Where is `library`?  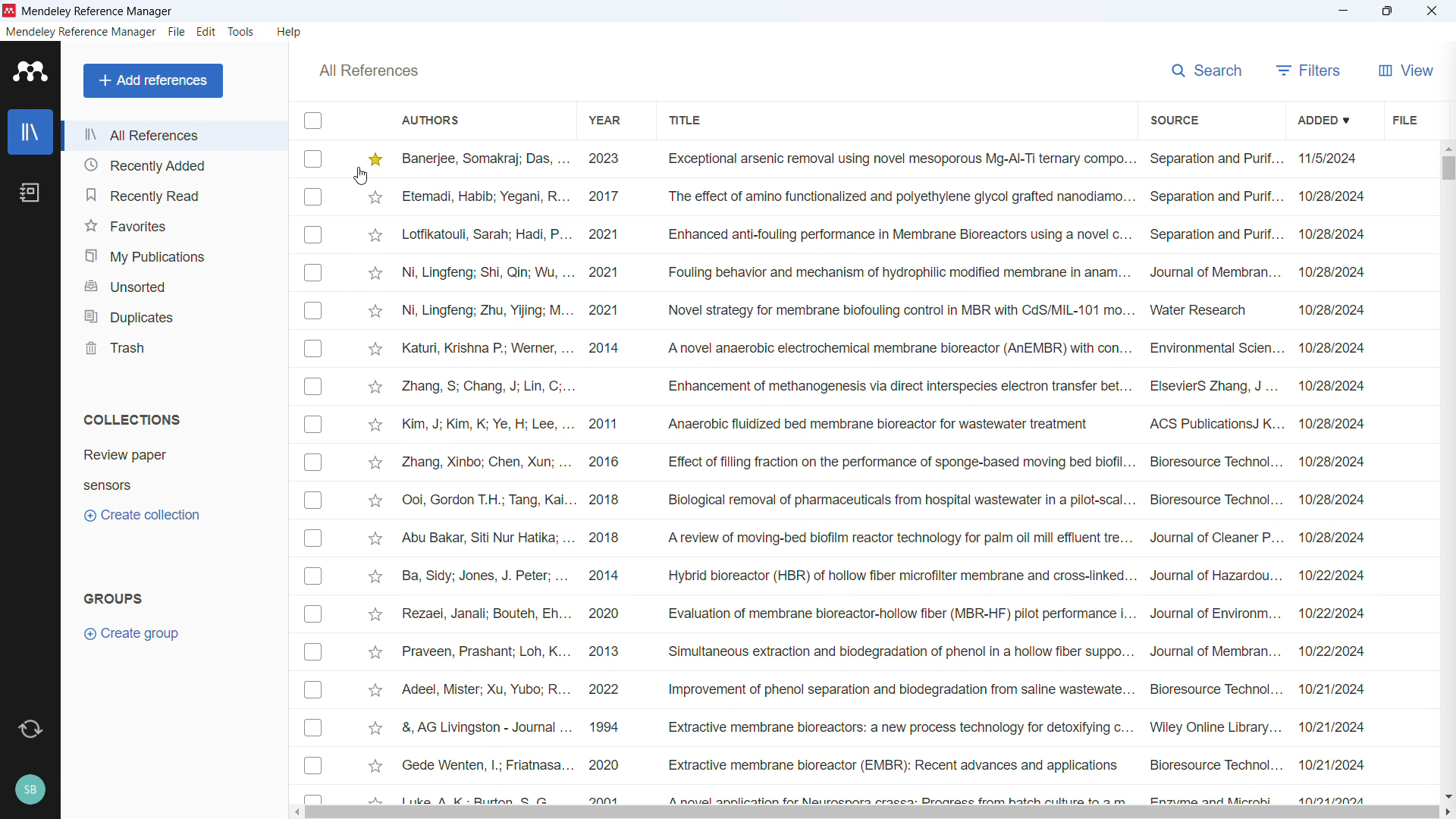 library is located at coordinates (30, 131).